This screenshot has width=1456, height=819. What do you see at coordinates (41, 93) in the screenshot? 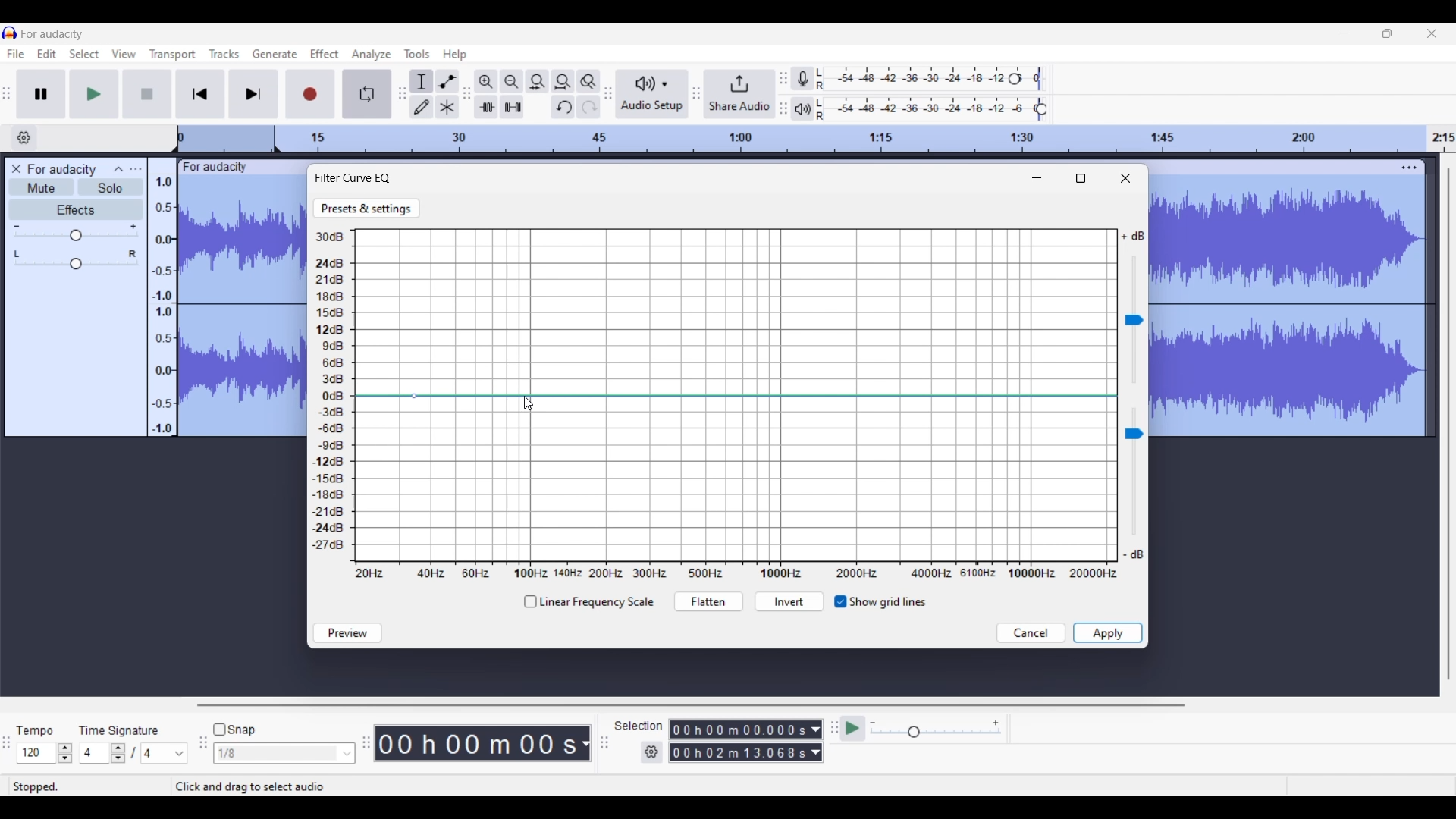
I see `Pause` at bounding box center [41, 93].